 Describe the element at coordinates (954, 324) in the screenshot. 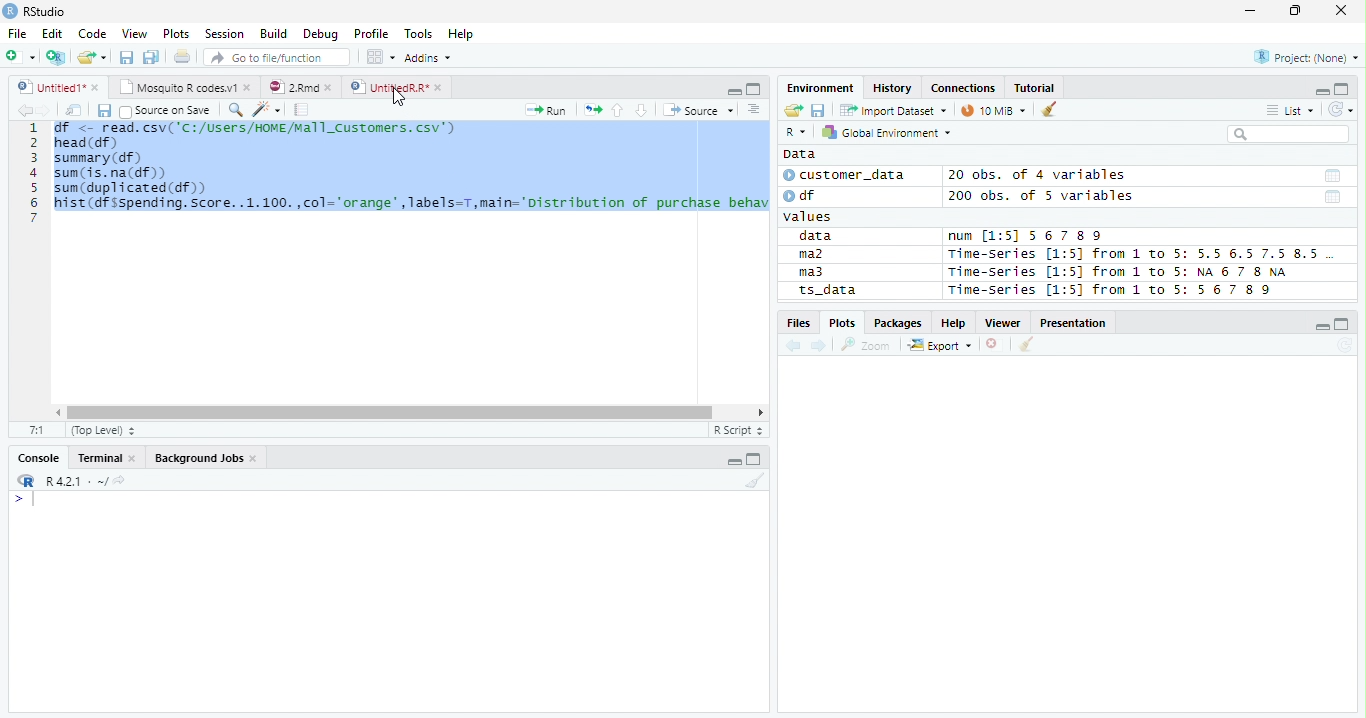

I see `Help` at that location.